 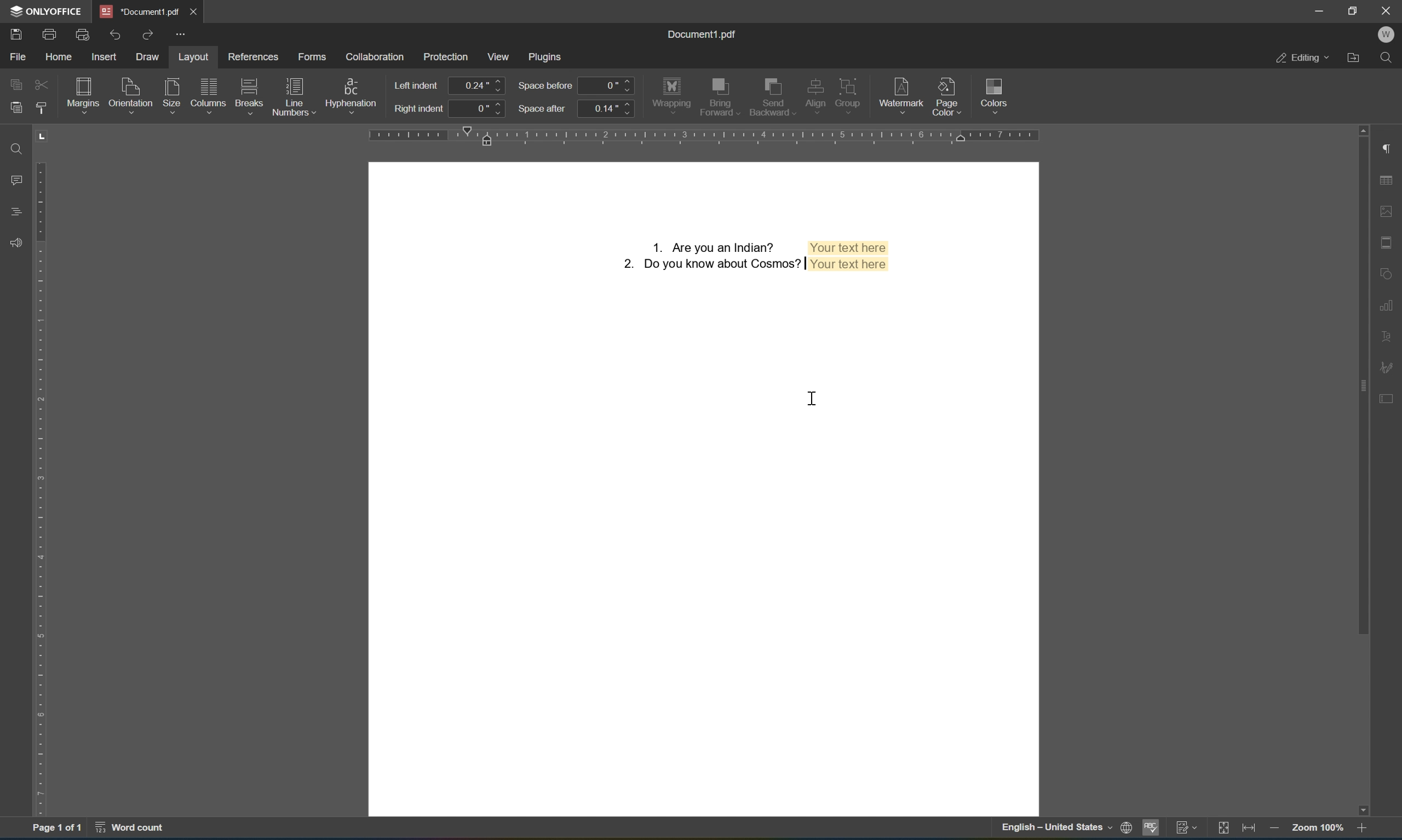 I want to click on line numbers, so click(x=292, y=96).